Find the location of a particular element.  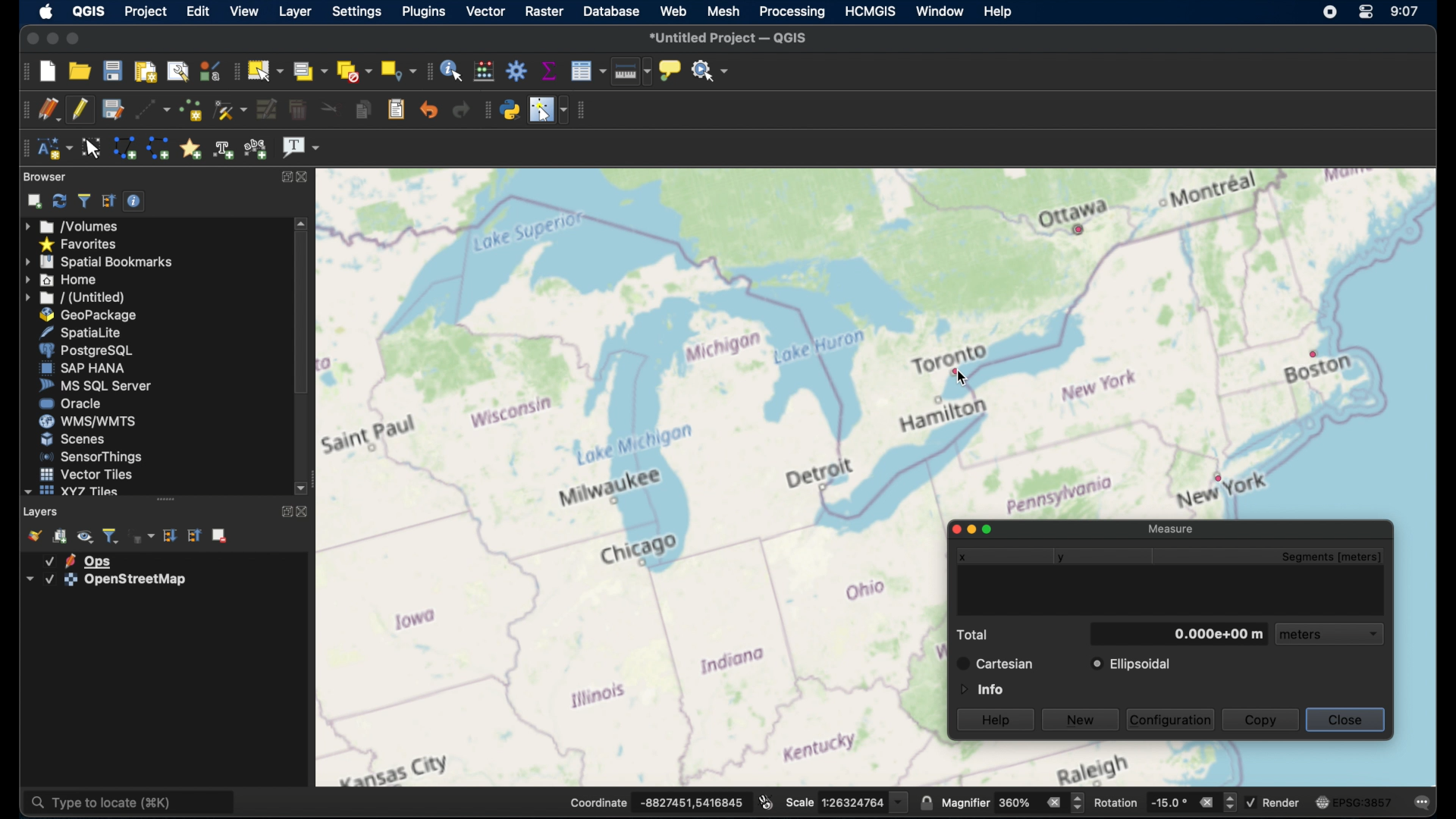

refresh is located at coordinates (58, 201).